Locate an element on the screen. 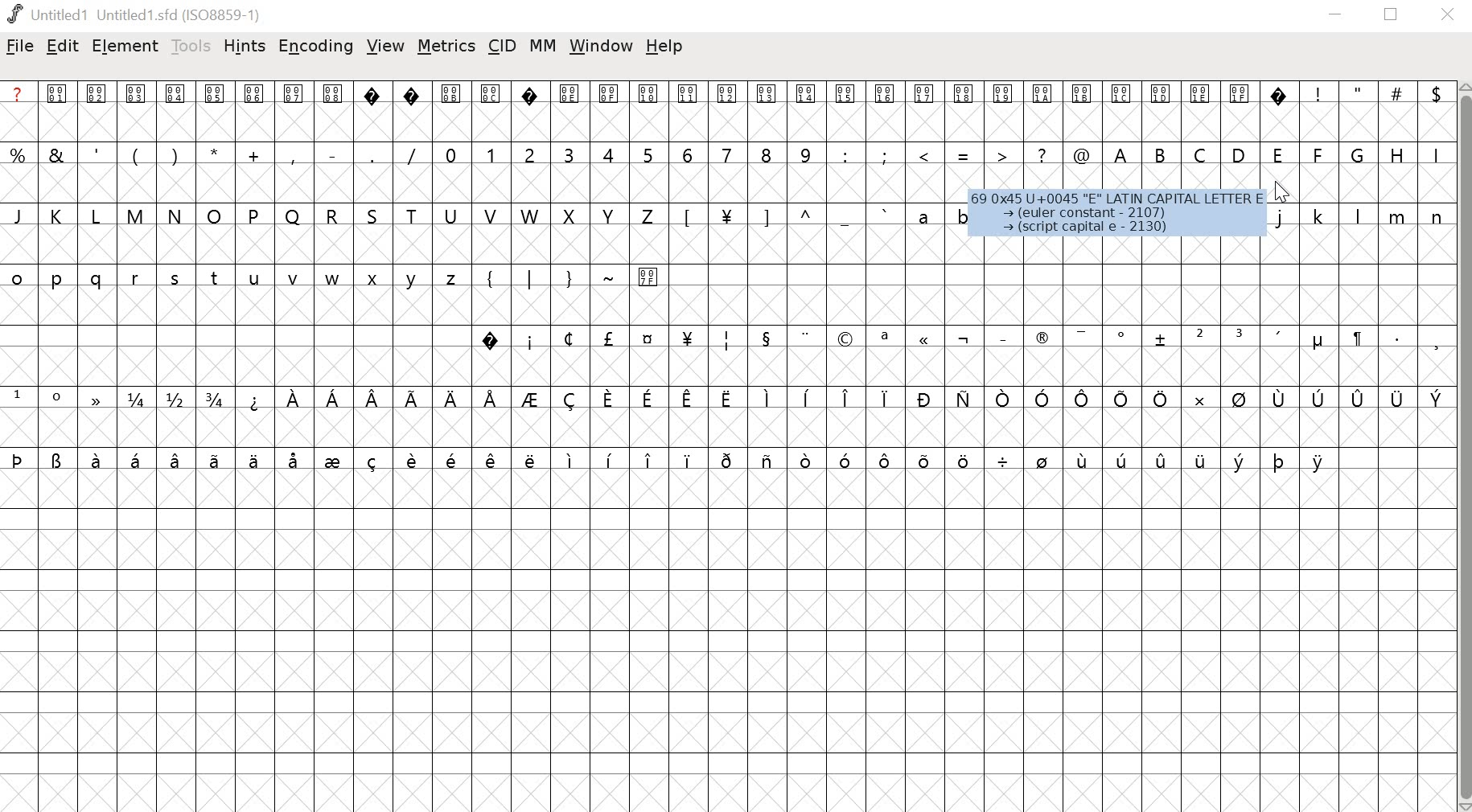 This screenshot has height=812, width=1472. restore down is located at coordinates (1392, 15).